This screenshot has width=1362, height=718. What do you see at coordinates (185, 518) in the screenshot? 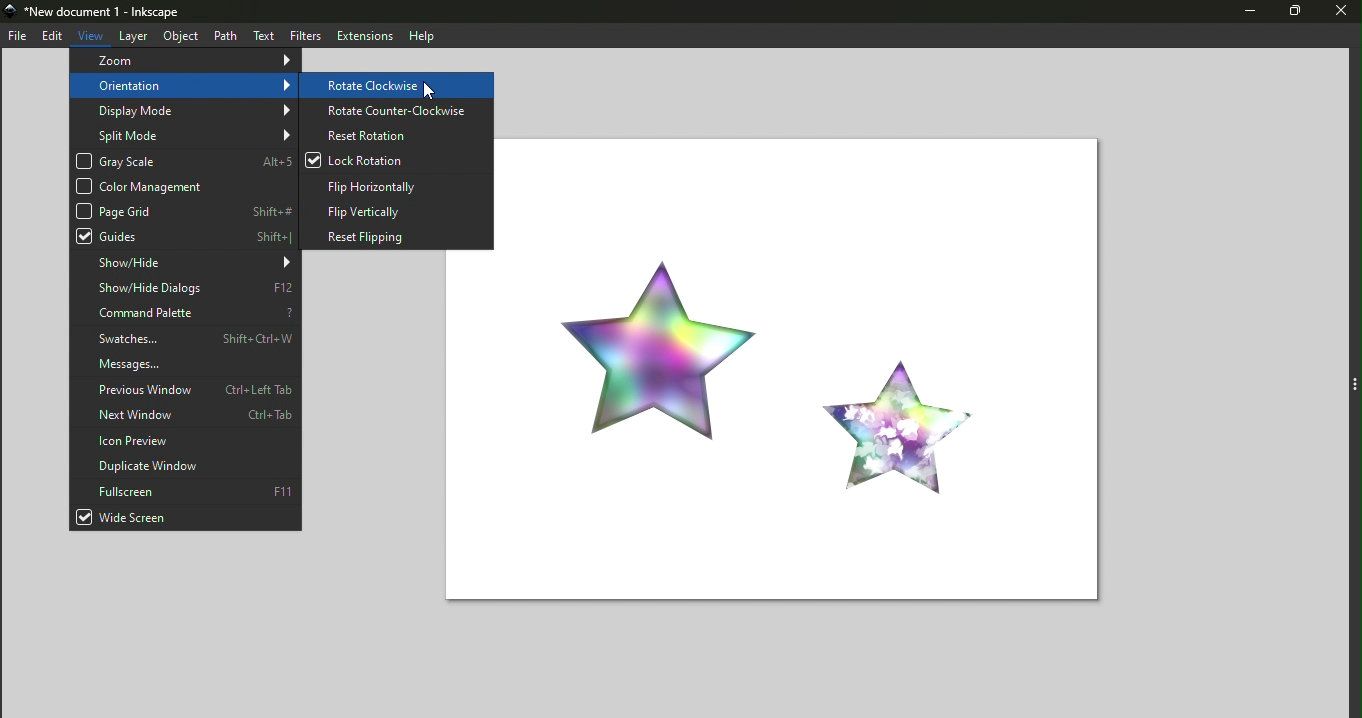
I see `Wide screen` at bounding box center [185, 518].